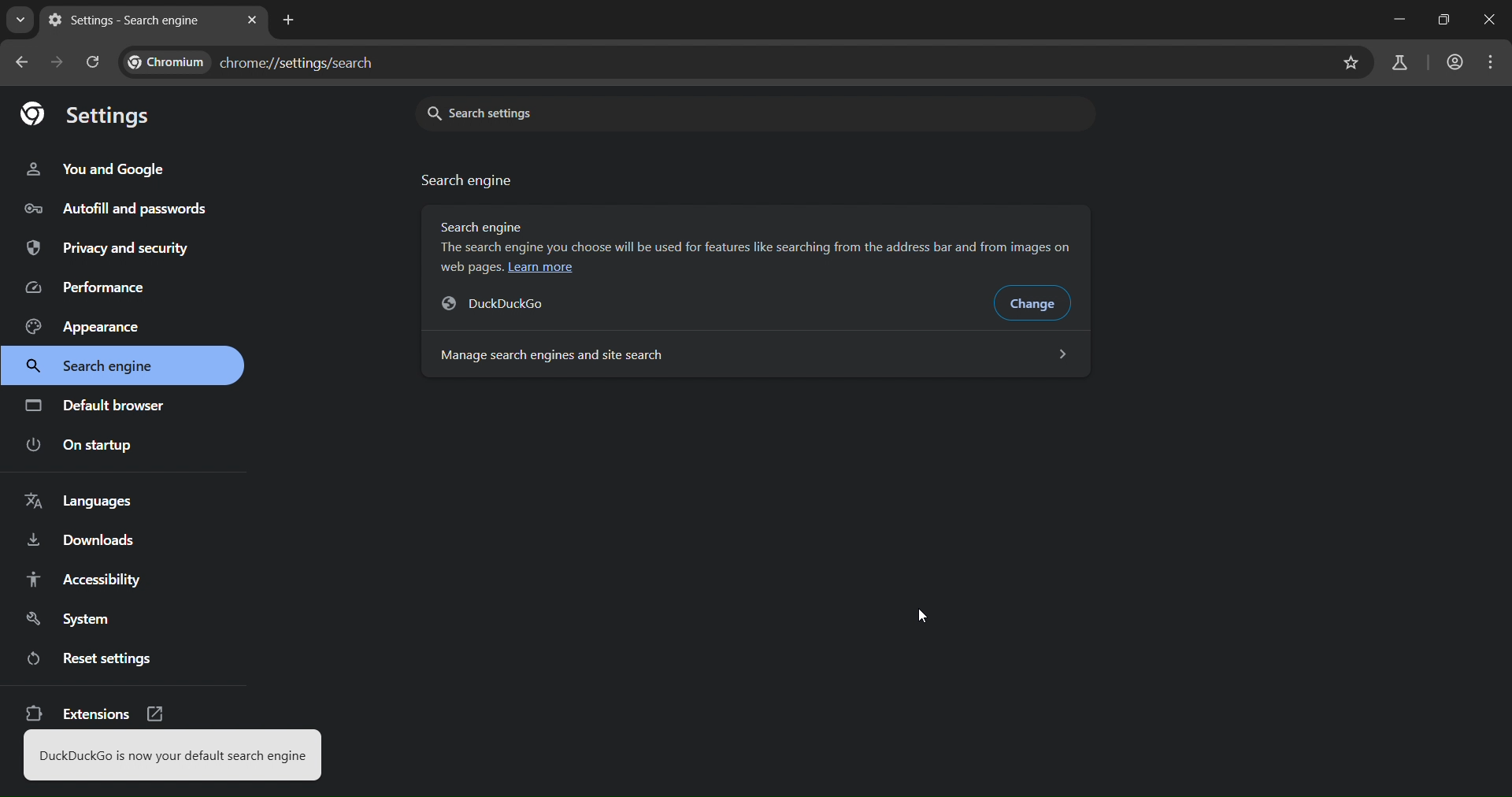  What do you see at coordinates (1492, 65) in the screenshot?
I see `menu` at bounding box center [1492, 65].